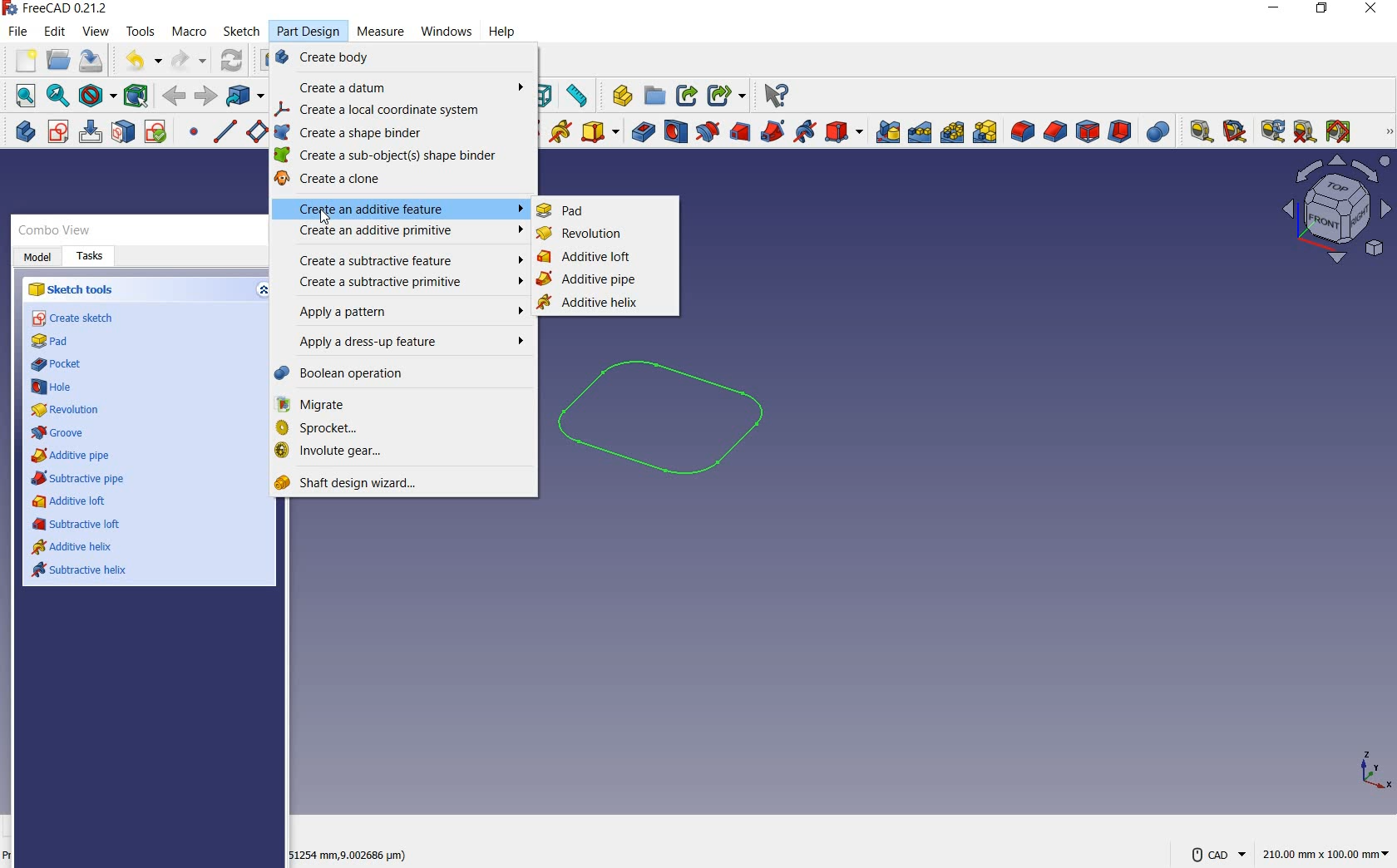  What do you see at coordinates (17, 32) in the screenshot?
I see `file` at bounding box center [17, 32].